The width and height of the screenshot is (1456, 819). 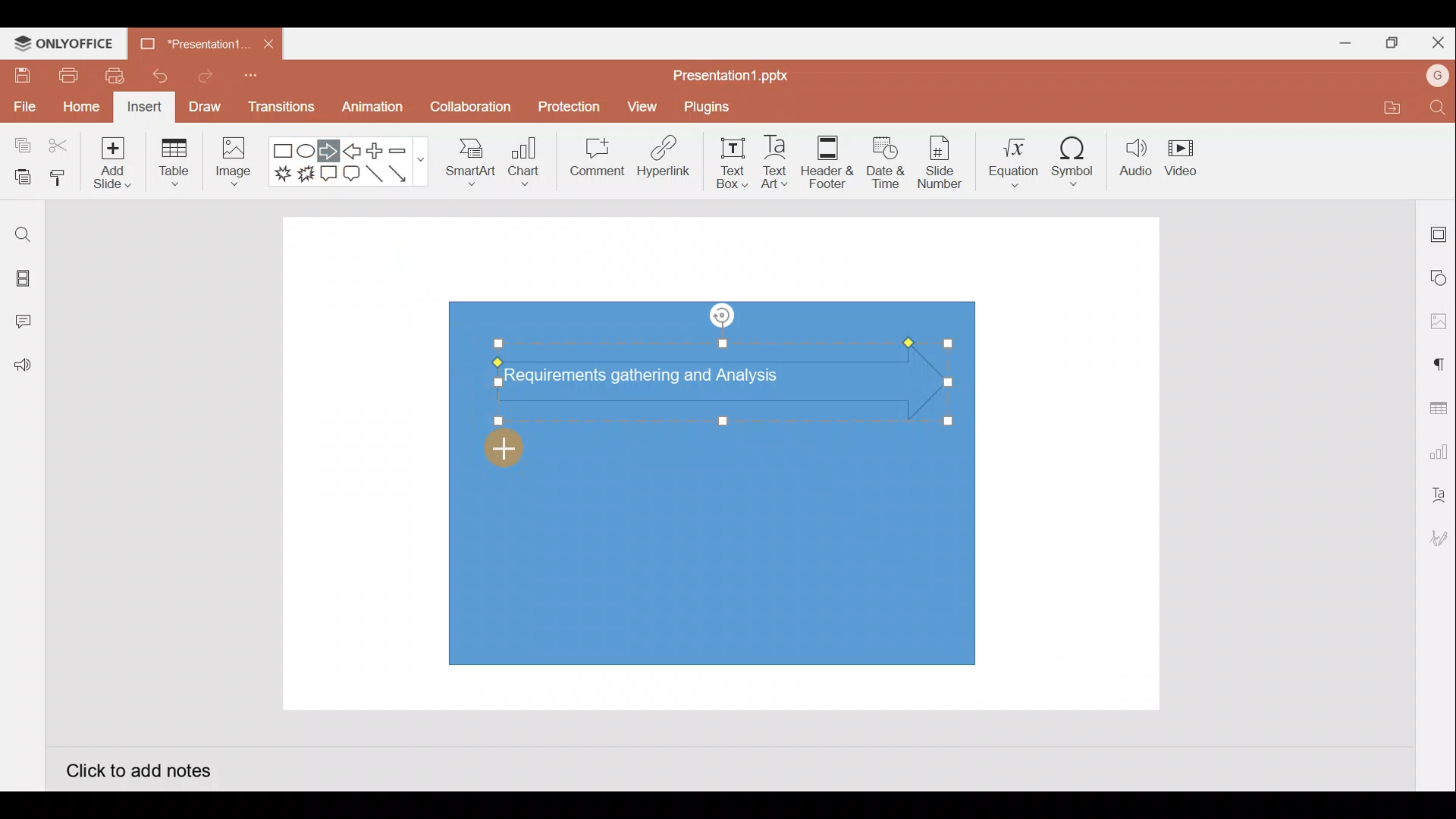 What do you see at coordinates (308, 150) in the screenshot?
I see `Ellipse` at bounding box center [308, 150].